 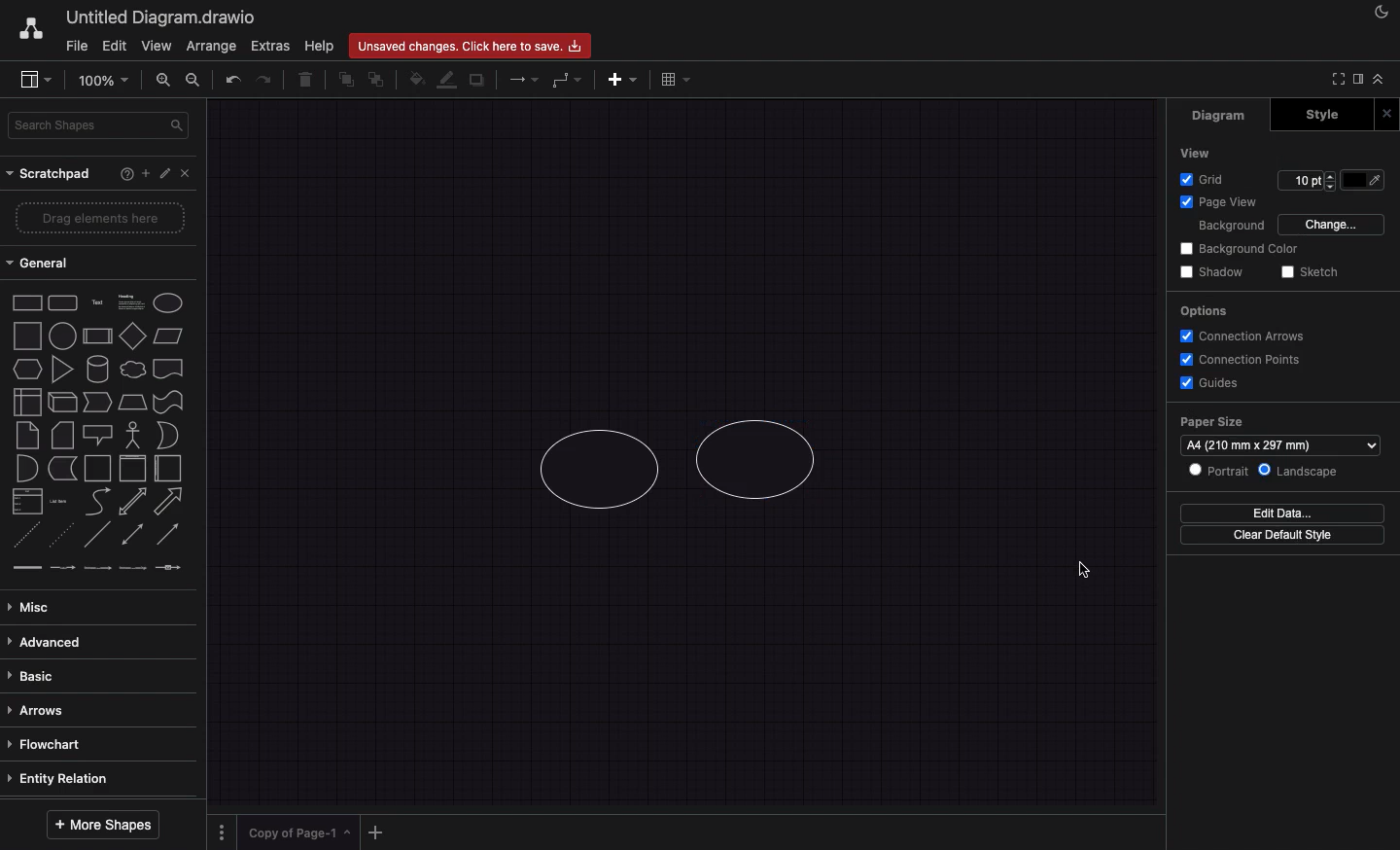 What do you see at coordinates (169, 402) in the screenshot?
I see `tape` at bounding box center [169, 402].